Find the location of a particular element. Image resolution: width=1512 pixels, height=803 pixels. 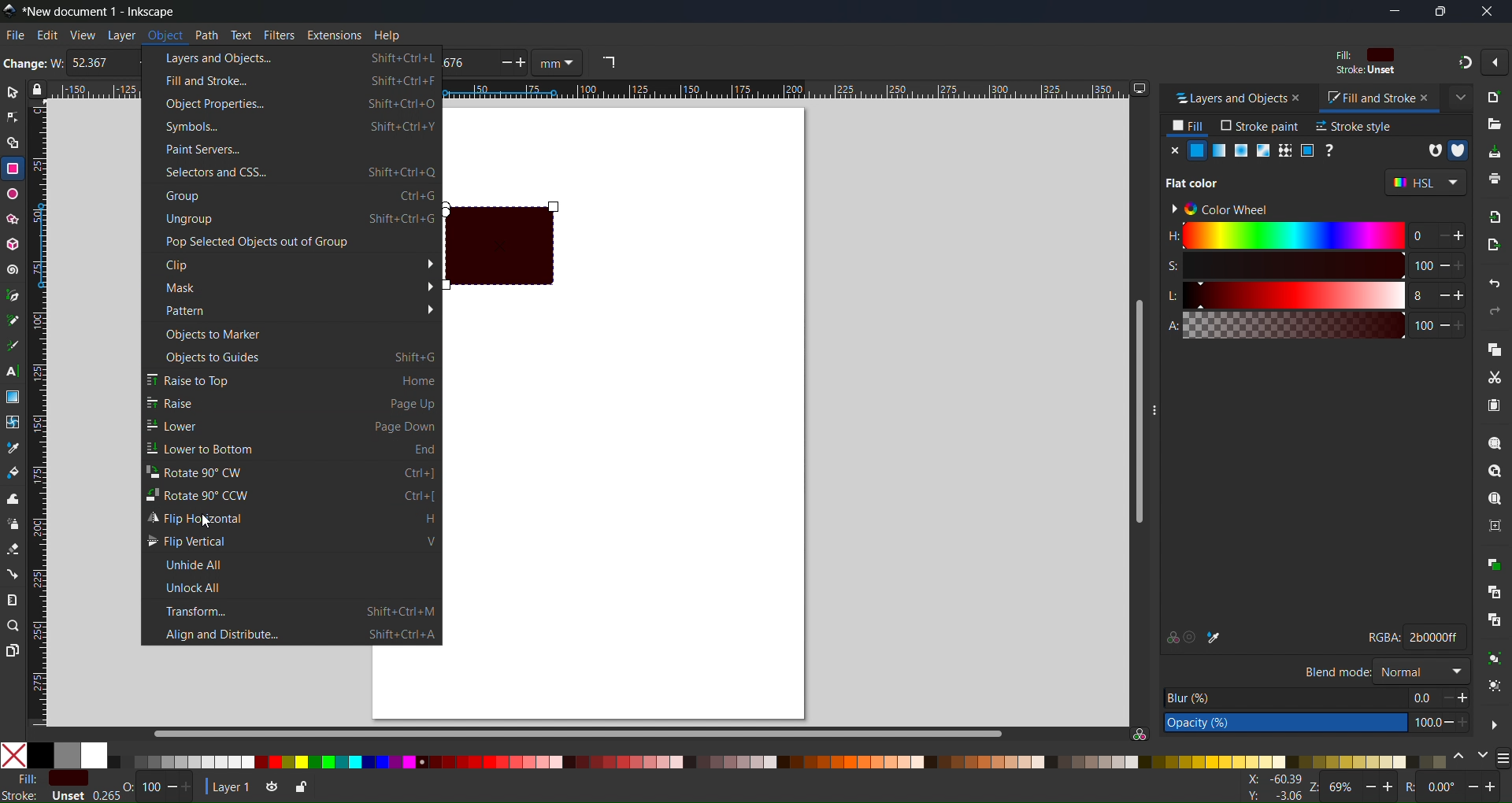

Flip Vertical is located at coordinates (293, 541).